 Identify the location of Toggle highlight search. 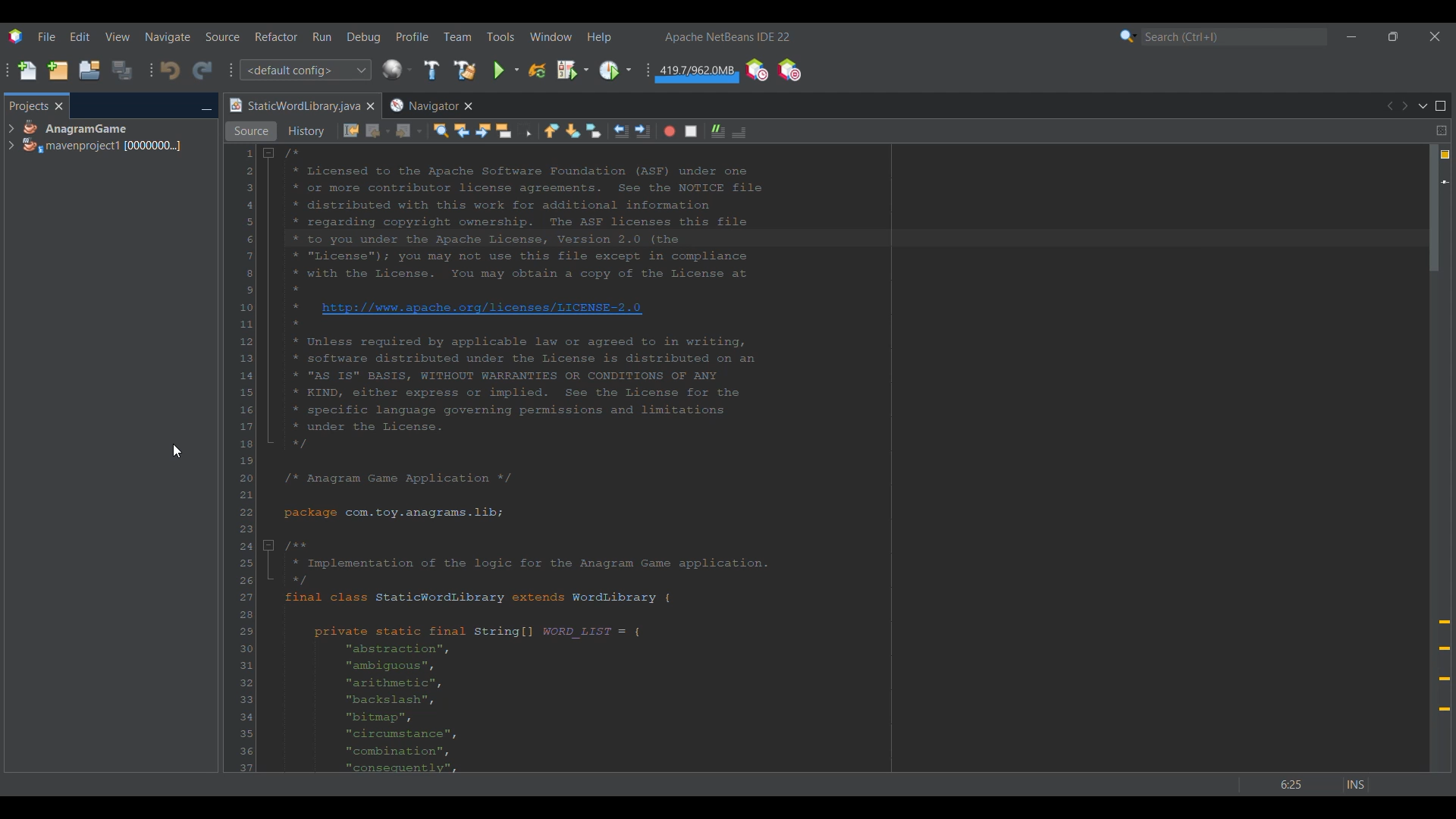
(504, 130).